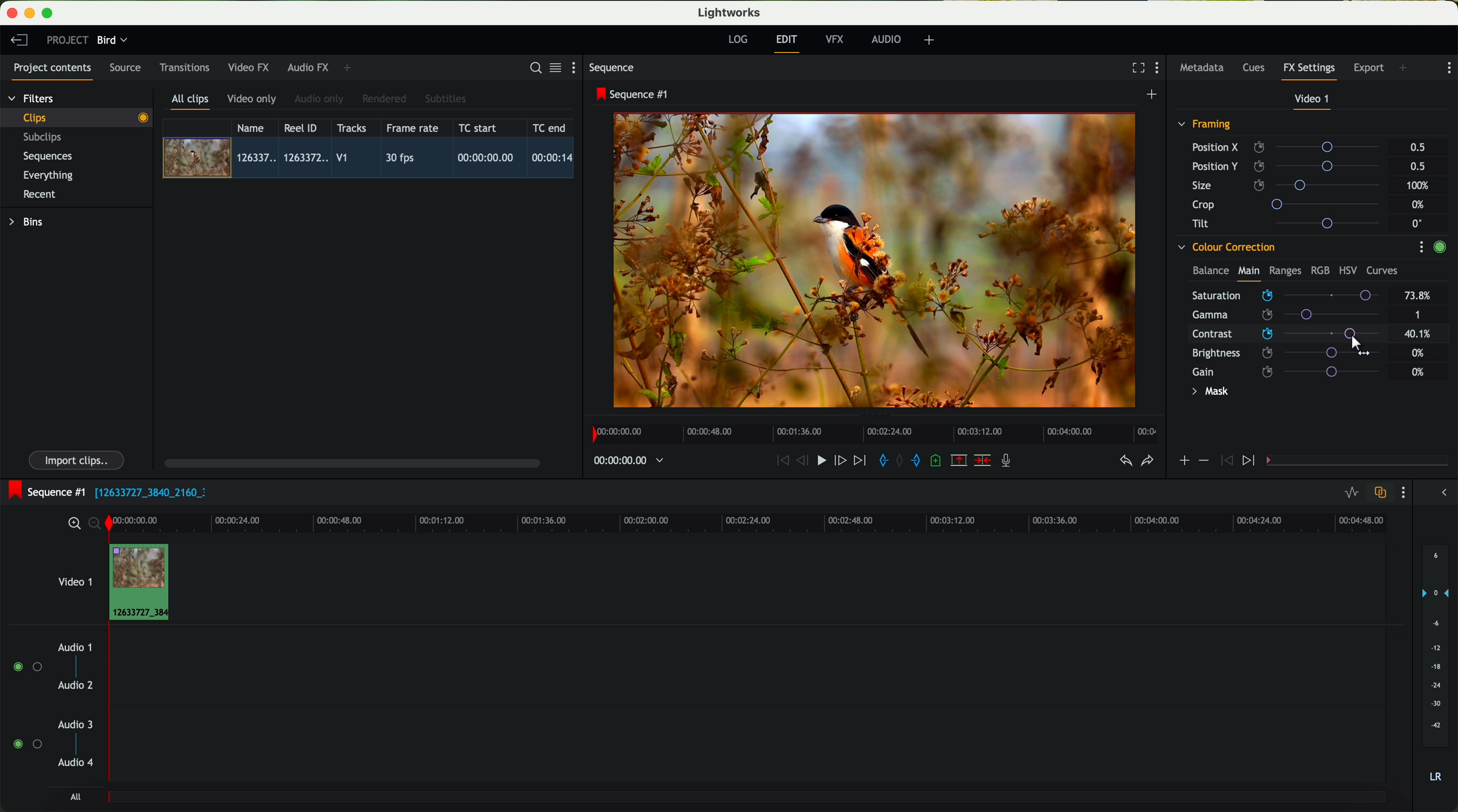  I want to click on audio 3, so click(70, 724).